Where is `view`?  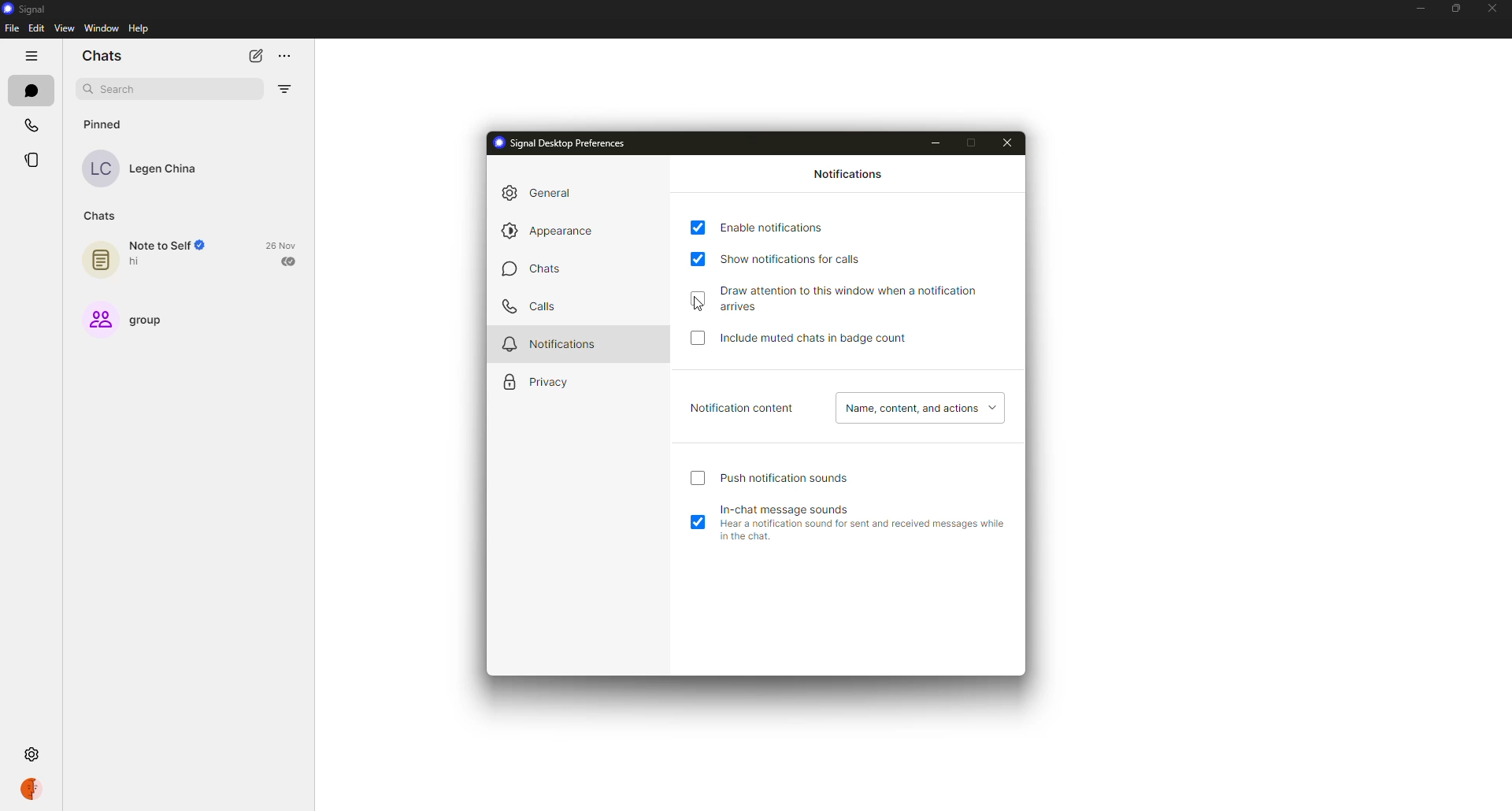
view is located at coordinates (65, 28).